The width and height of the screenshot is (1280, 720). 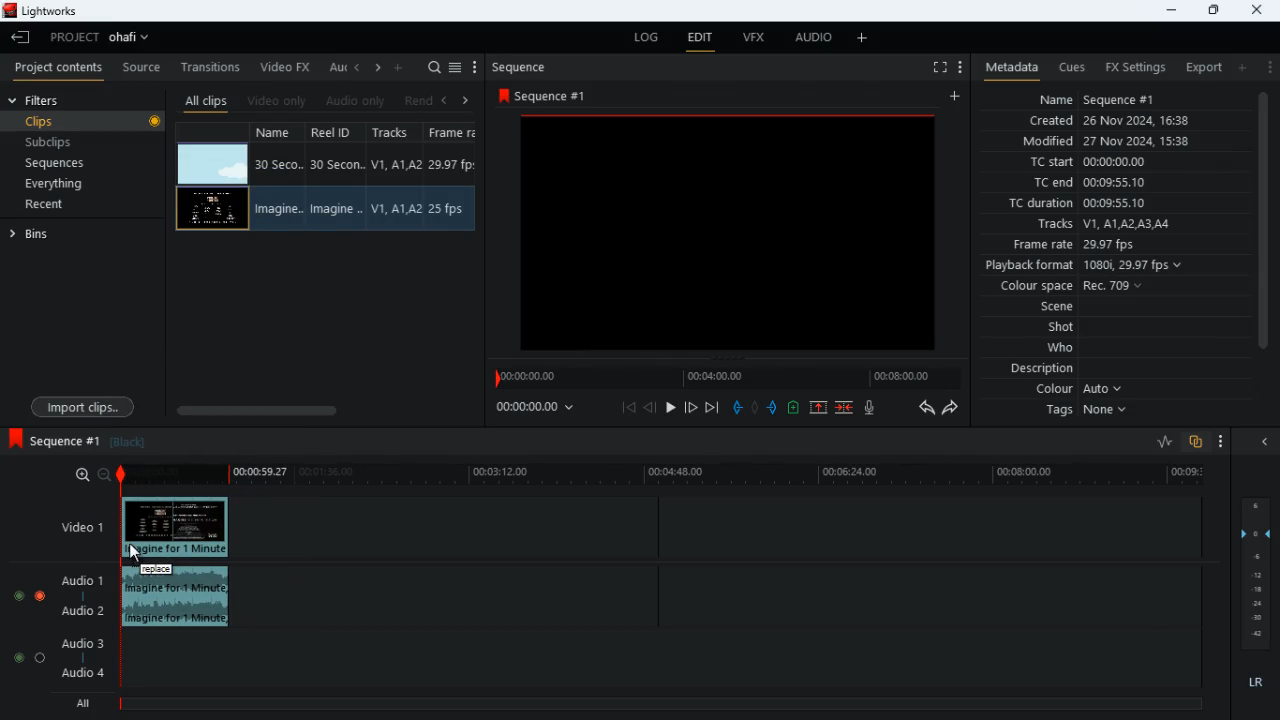 What do you see at coordinates (207, 99) in the screenshot?
I see `all clips` at bounding box center [207, 99].